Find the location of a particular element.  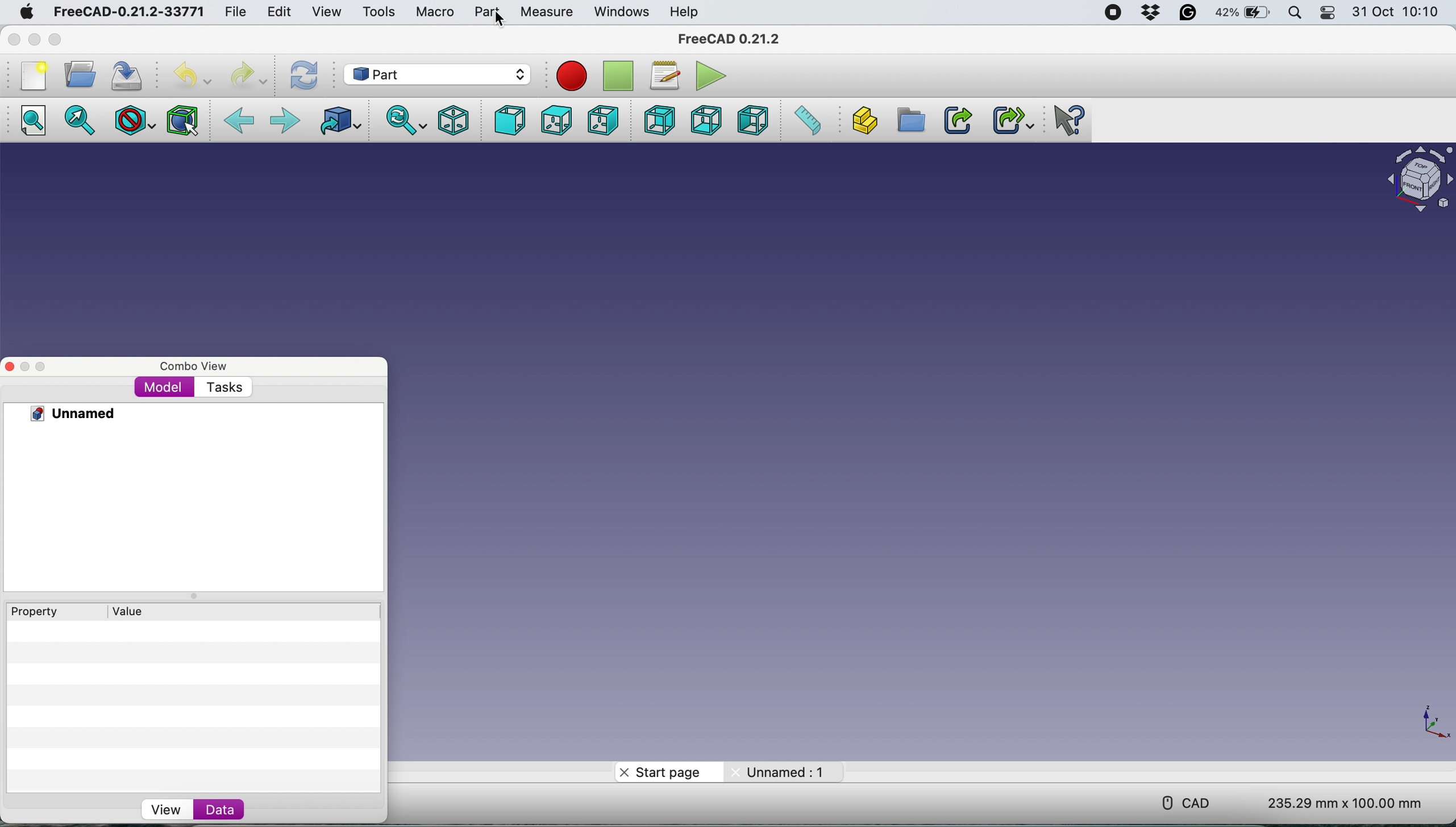

Help is located at coordinates (684, 12).